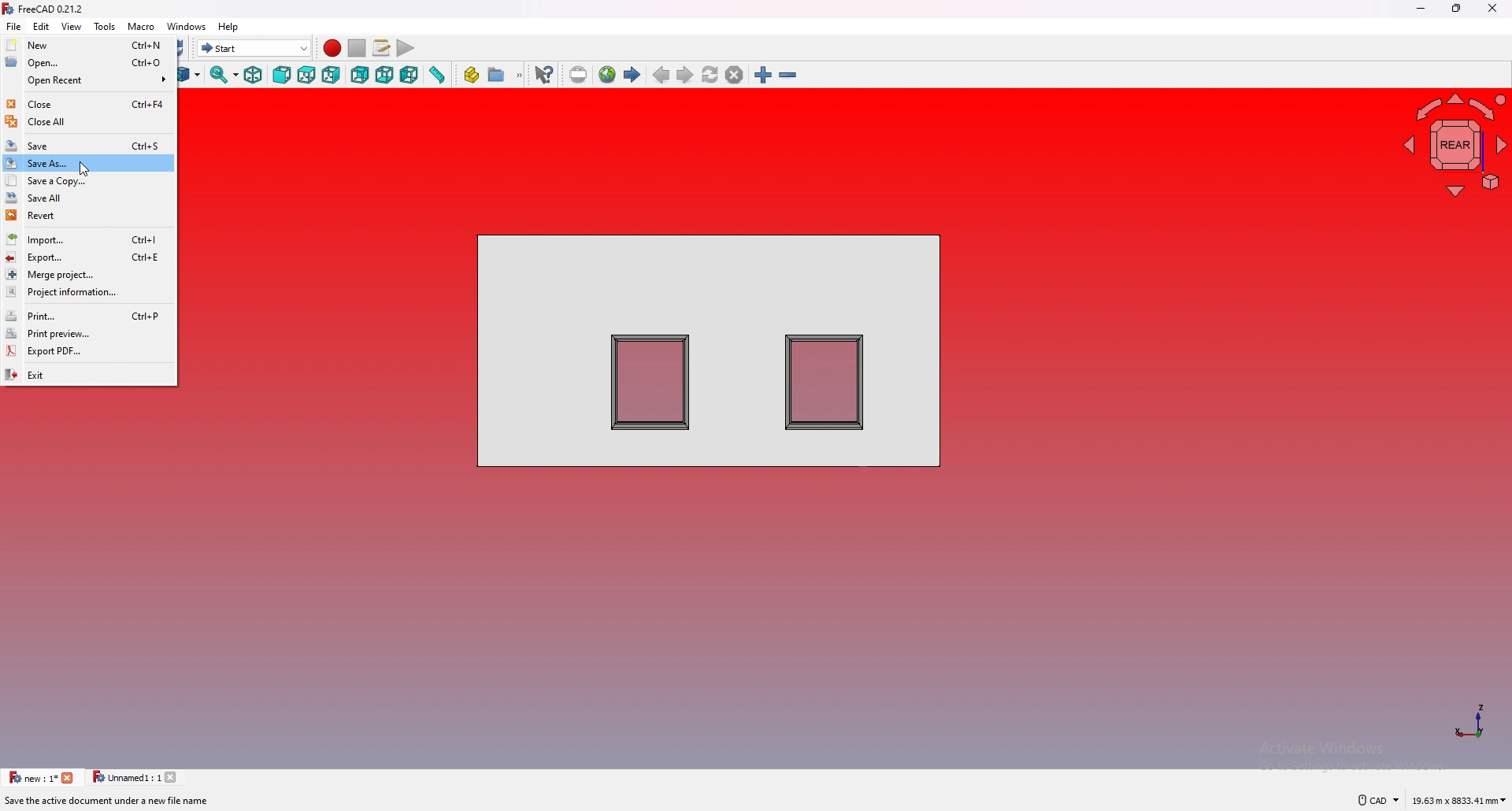 Image resolution: width=1512 pixels, height=811 pixels. I want to click on file, so click(15, 26).